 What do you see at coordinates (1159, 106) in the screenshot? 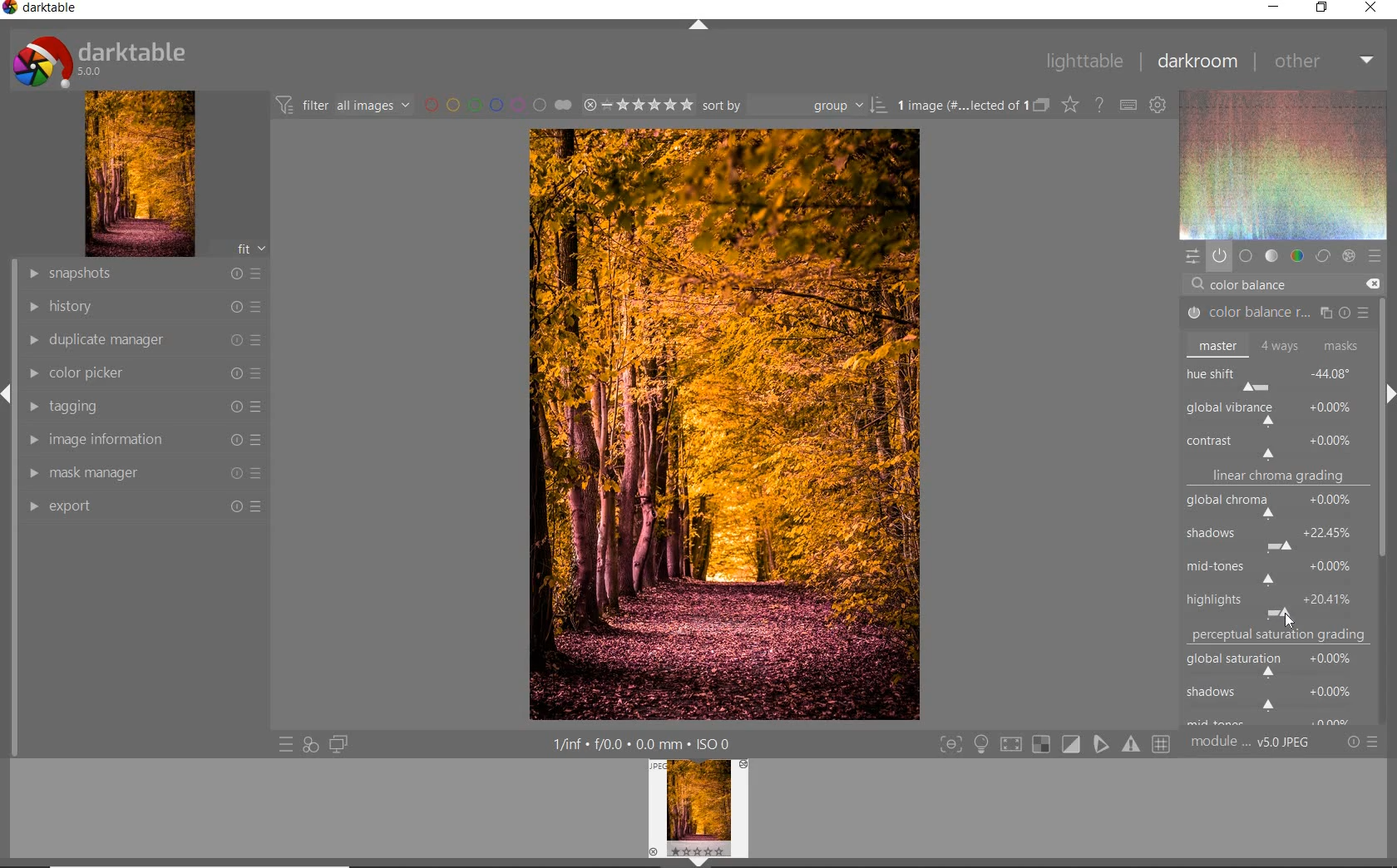
I see `show global preference` at bounding box center [1159, 106].